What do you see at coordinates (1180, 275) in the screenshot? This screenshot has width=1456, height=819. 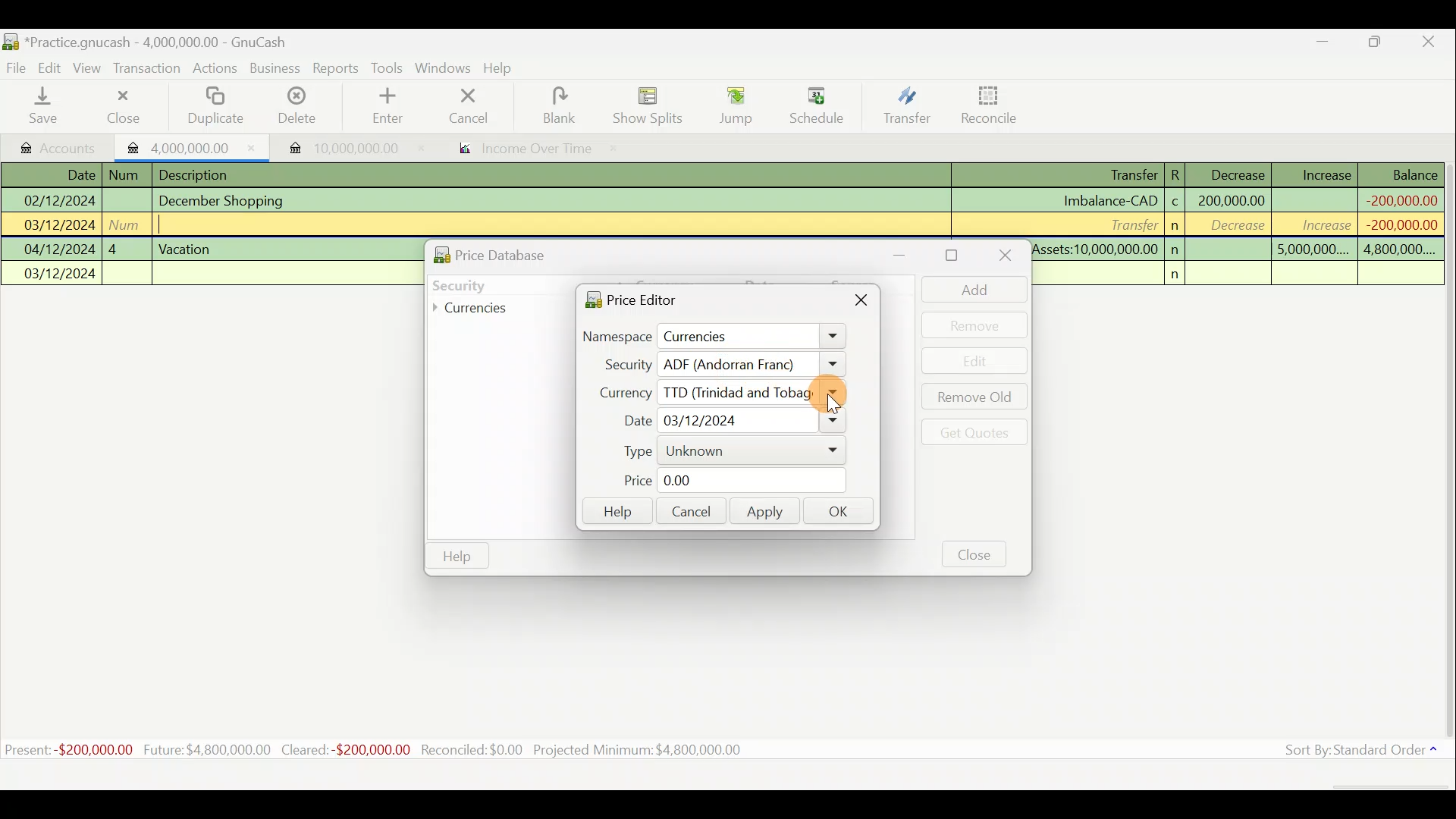 I see `n` at bounding box center [1180, 275].